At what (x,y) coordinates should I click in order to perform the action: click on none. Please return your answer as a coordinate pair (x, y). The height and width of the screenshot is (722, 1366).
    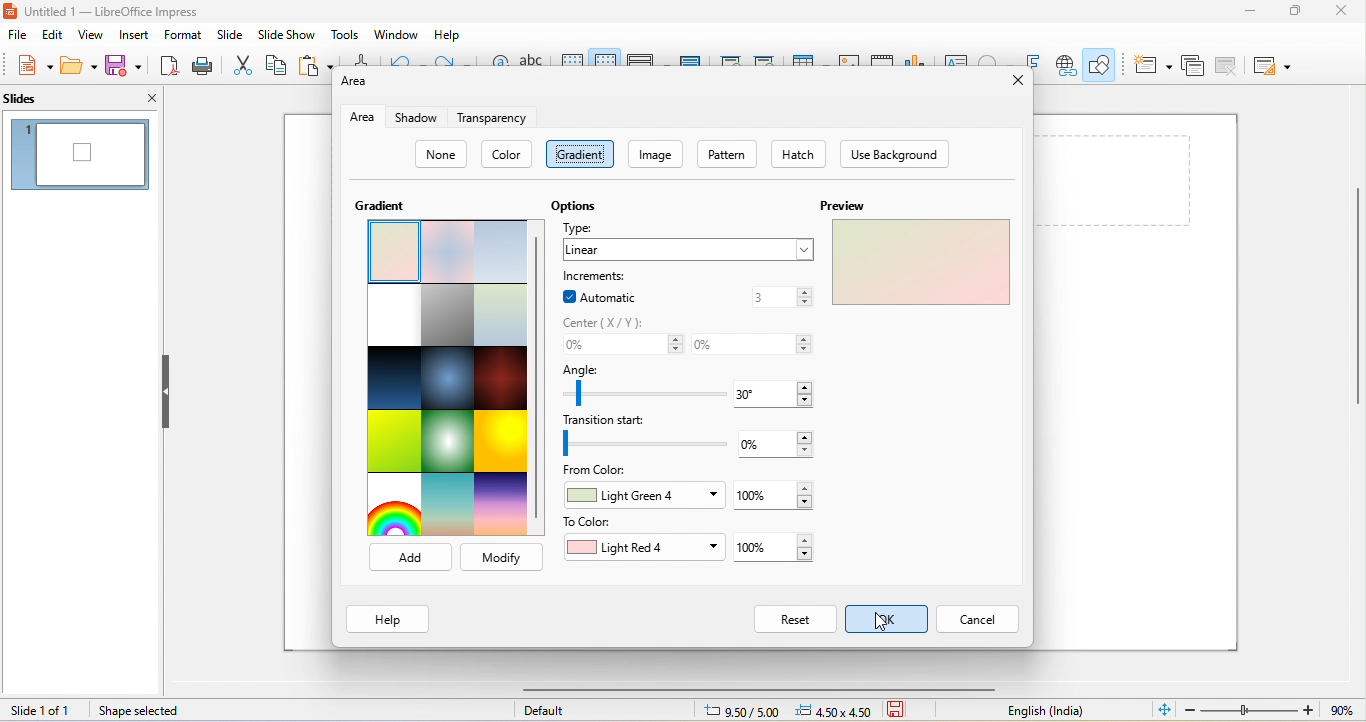
    Looking at the image, I should click on (444, 156).